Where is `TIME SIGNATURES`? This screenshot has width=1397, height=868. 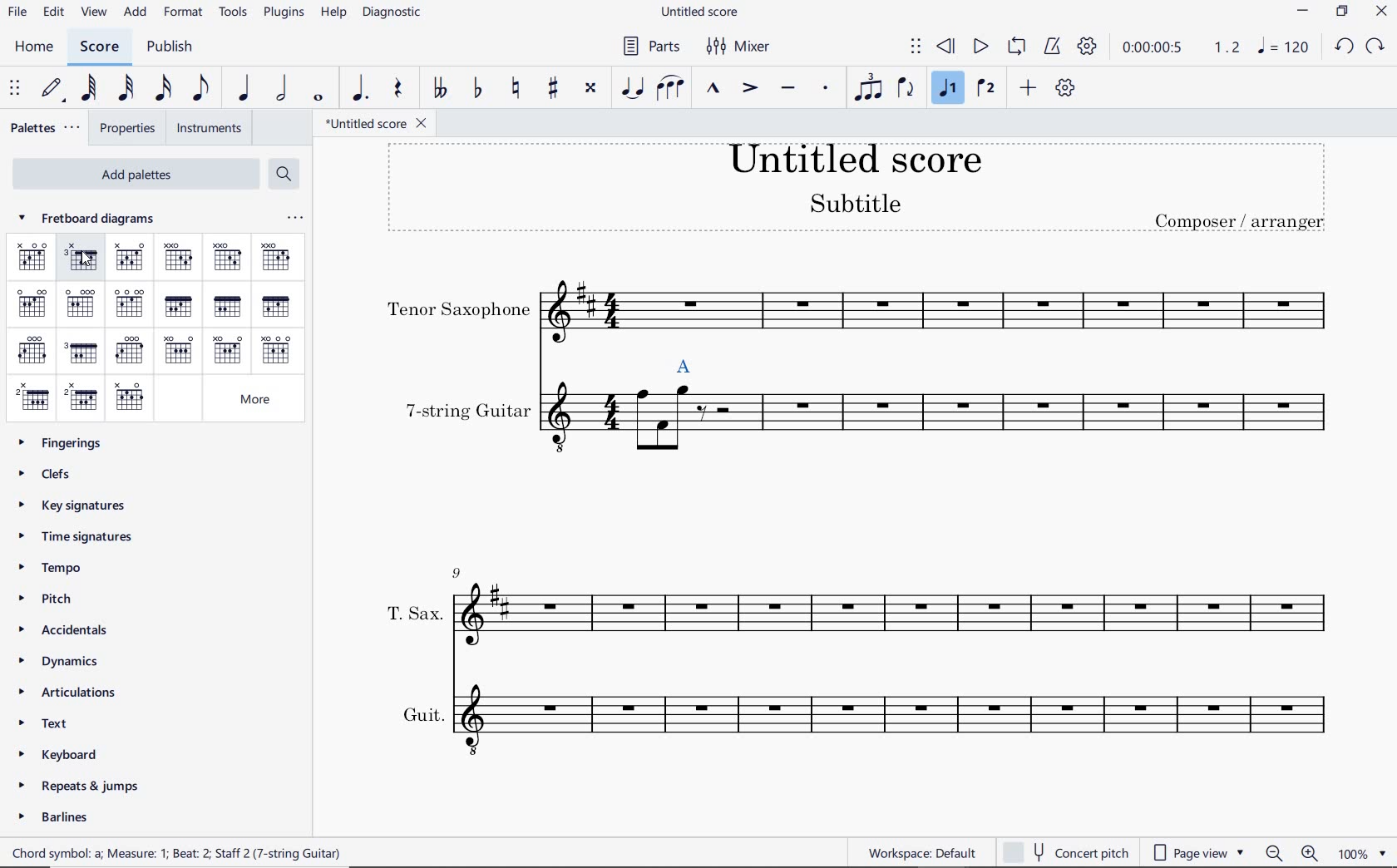
TIME SIGNATURES is located at coordinates (90, 540).